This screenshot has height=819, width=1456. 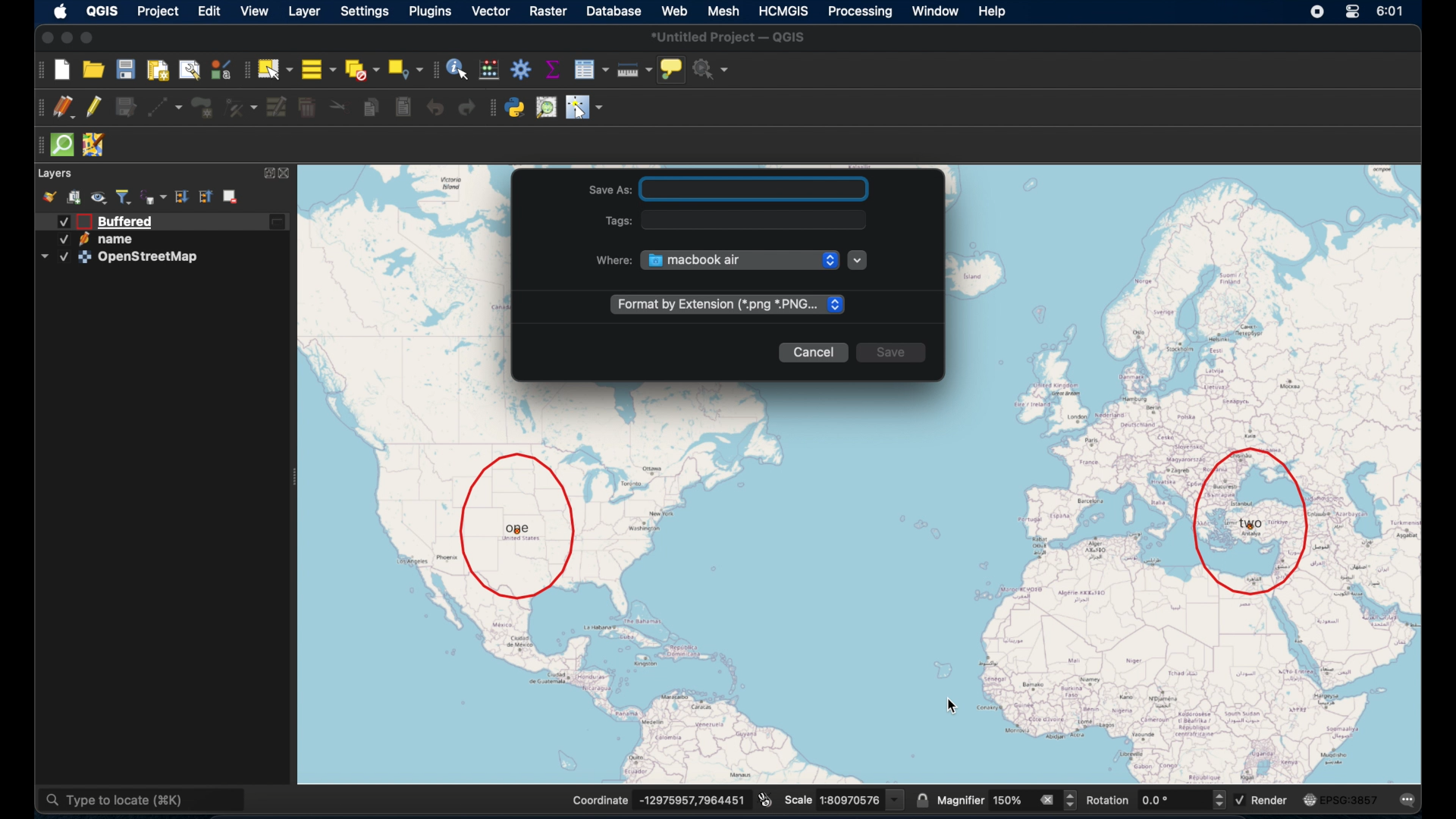 I want to click on no action selected, so click(x=713, y=69).